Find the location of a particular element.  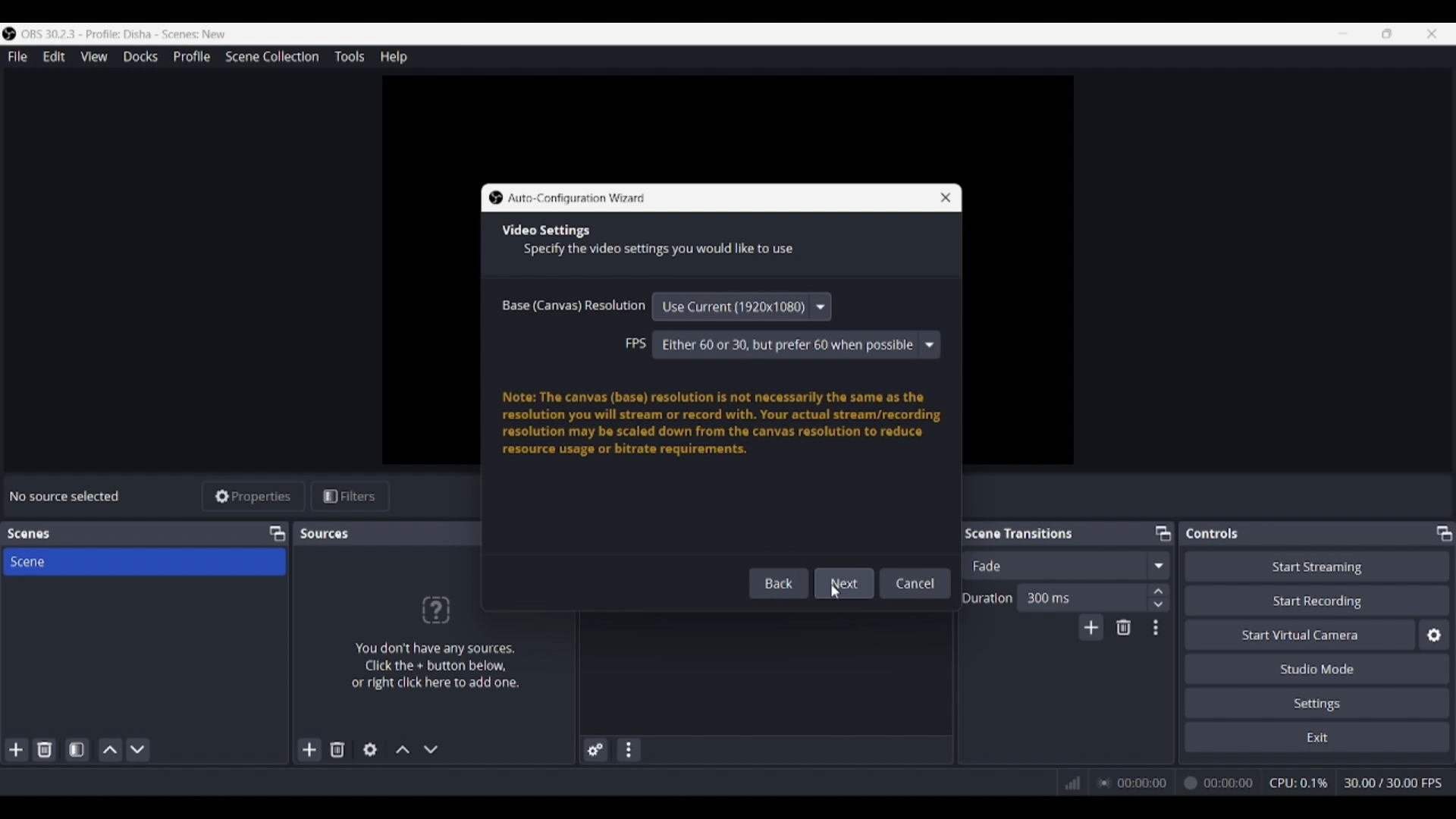

Software and project name is located at coordinates (130, 34).